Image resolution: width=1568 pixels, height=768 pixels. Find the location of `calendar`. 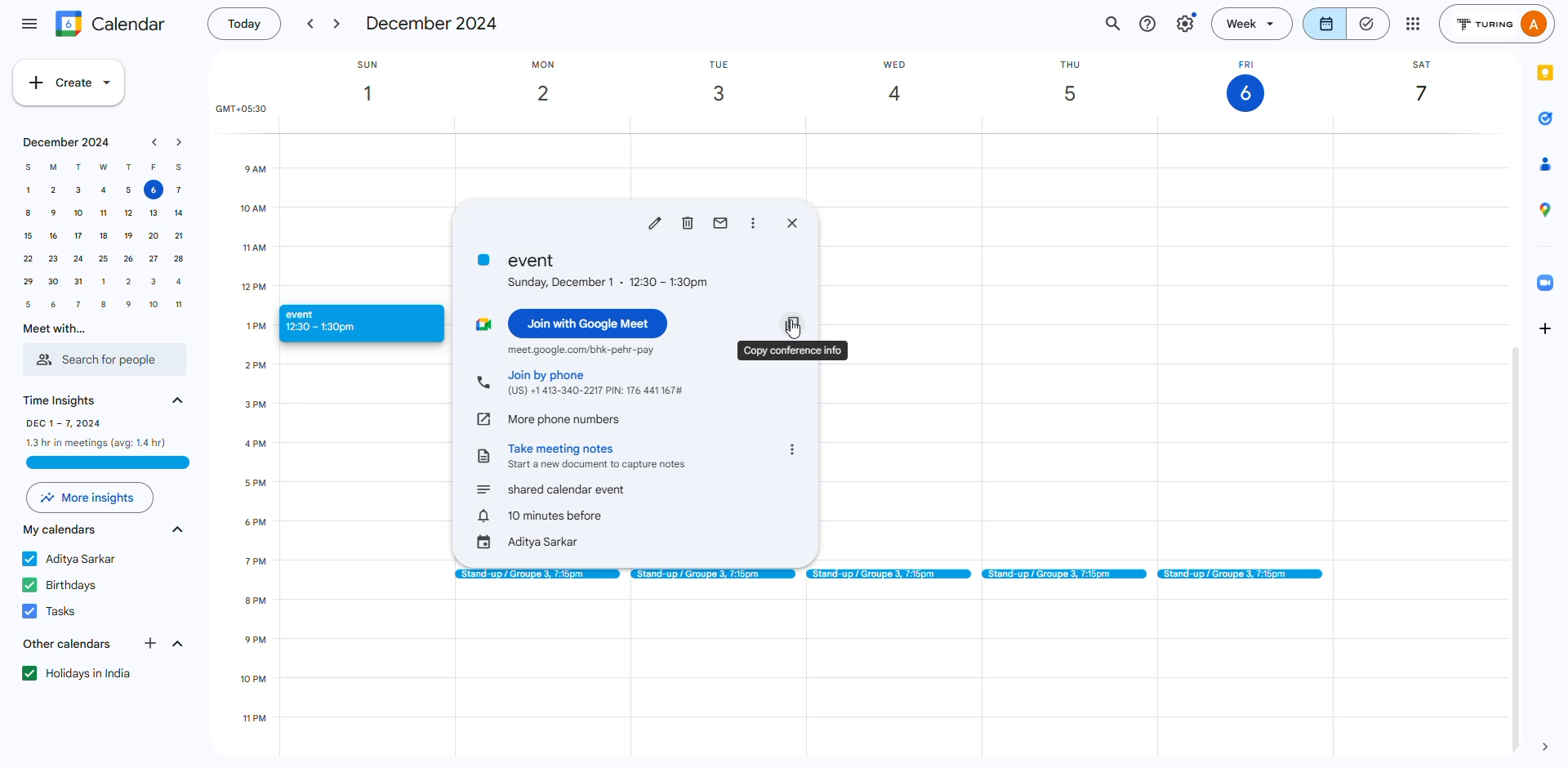

calendar is located at coordinates (61, 529).